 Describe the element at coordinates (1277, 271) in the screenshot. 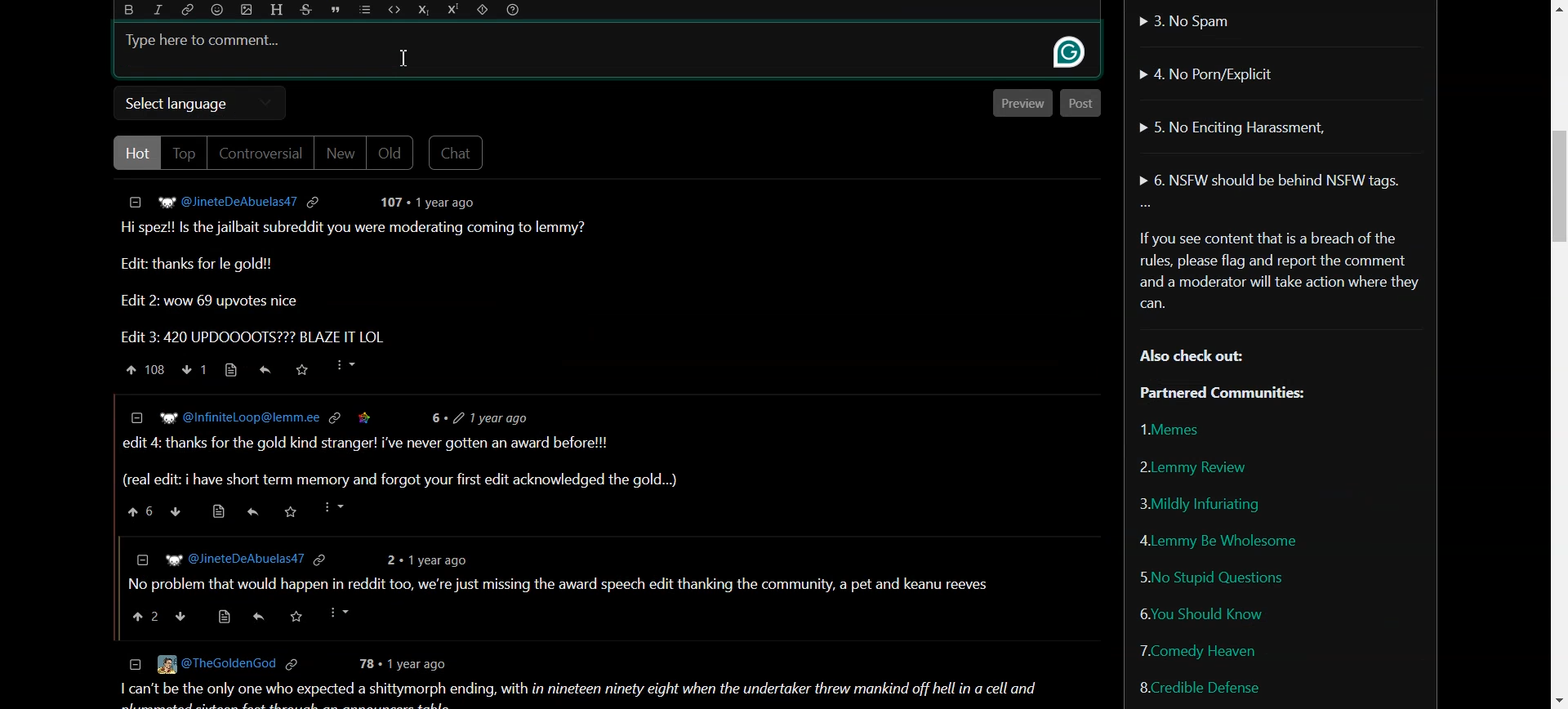

I see `Text` at that location.